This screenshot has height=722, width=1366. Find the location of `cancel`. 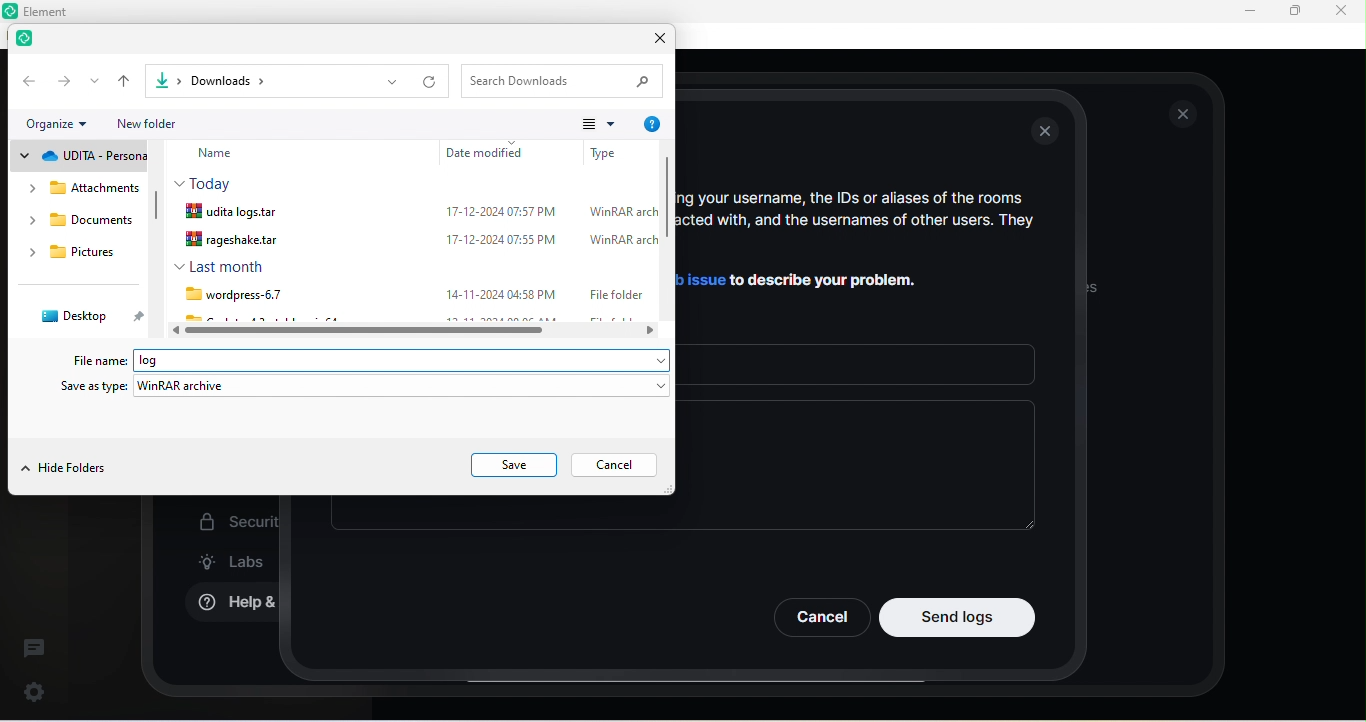

cancel is located at coordinates (619, 466).